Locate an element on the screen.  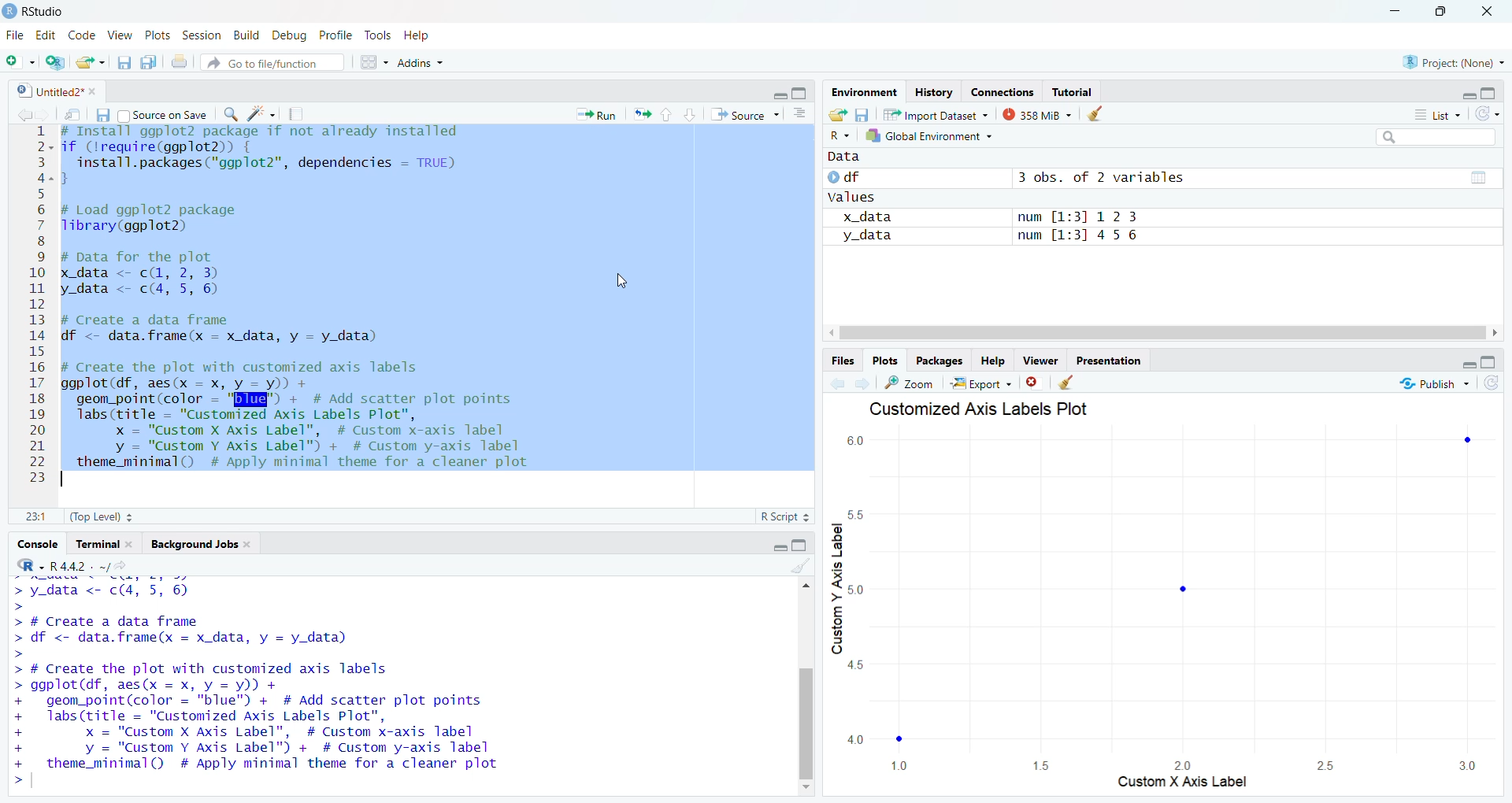
Global Environment ~ is located at coordinates (929, 136).